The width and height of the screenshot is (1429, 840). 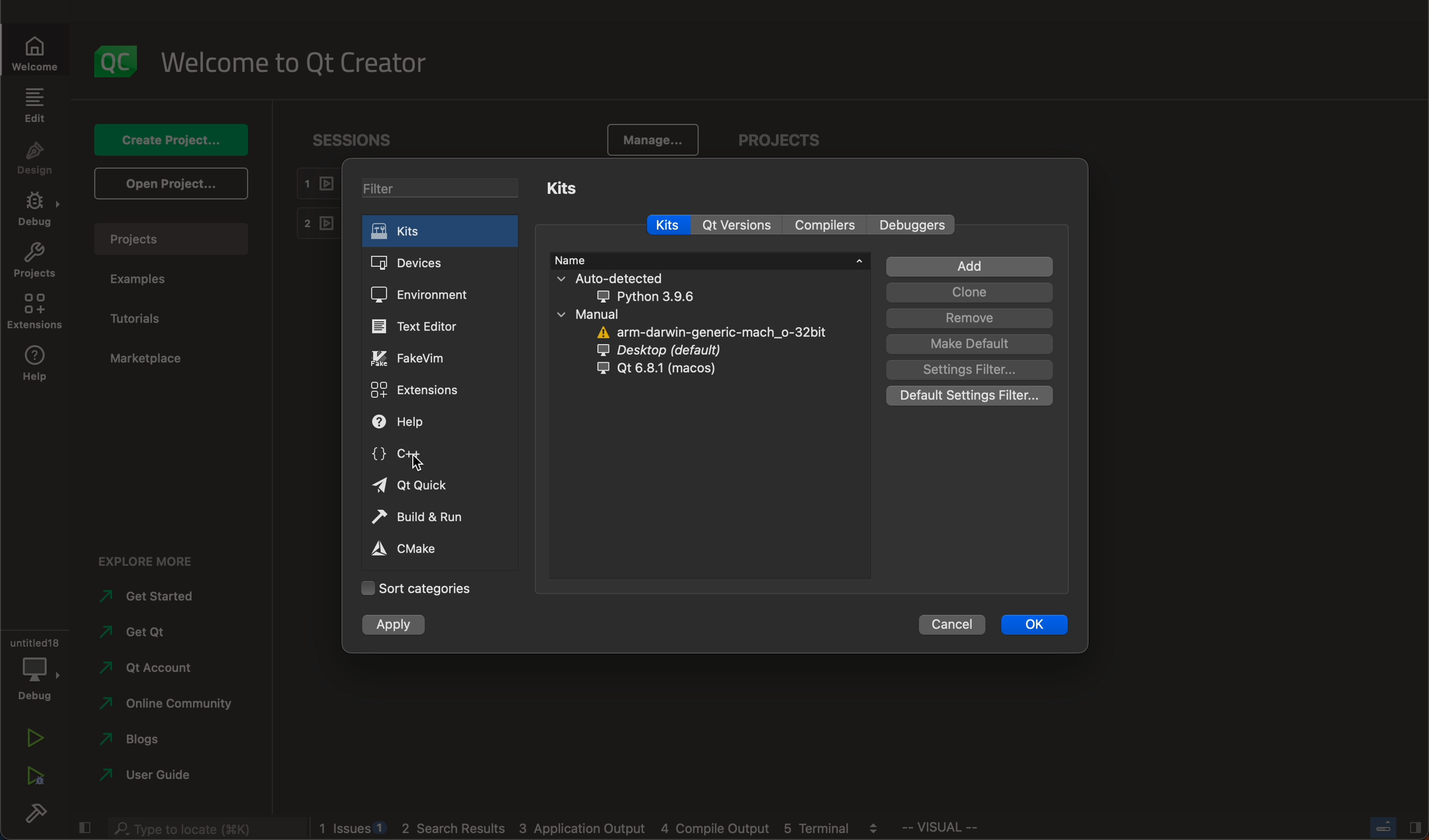 What do you see at coordinates (615, 315) in the screenshot?
I see `manual` at bounding box center [615, 315].